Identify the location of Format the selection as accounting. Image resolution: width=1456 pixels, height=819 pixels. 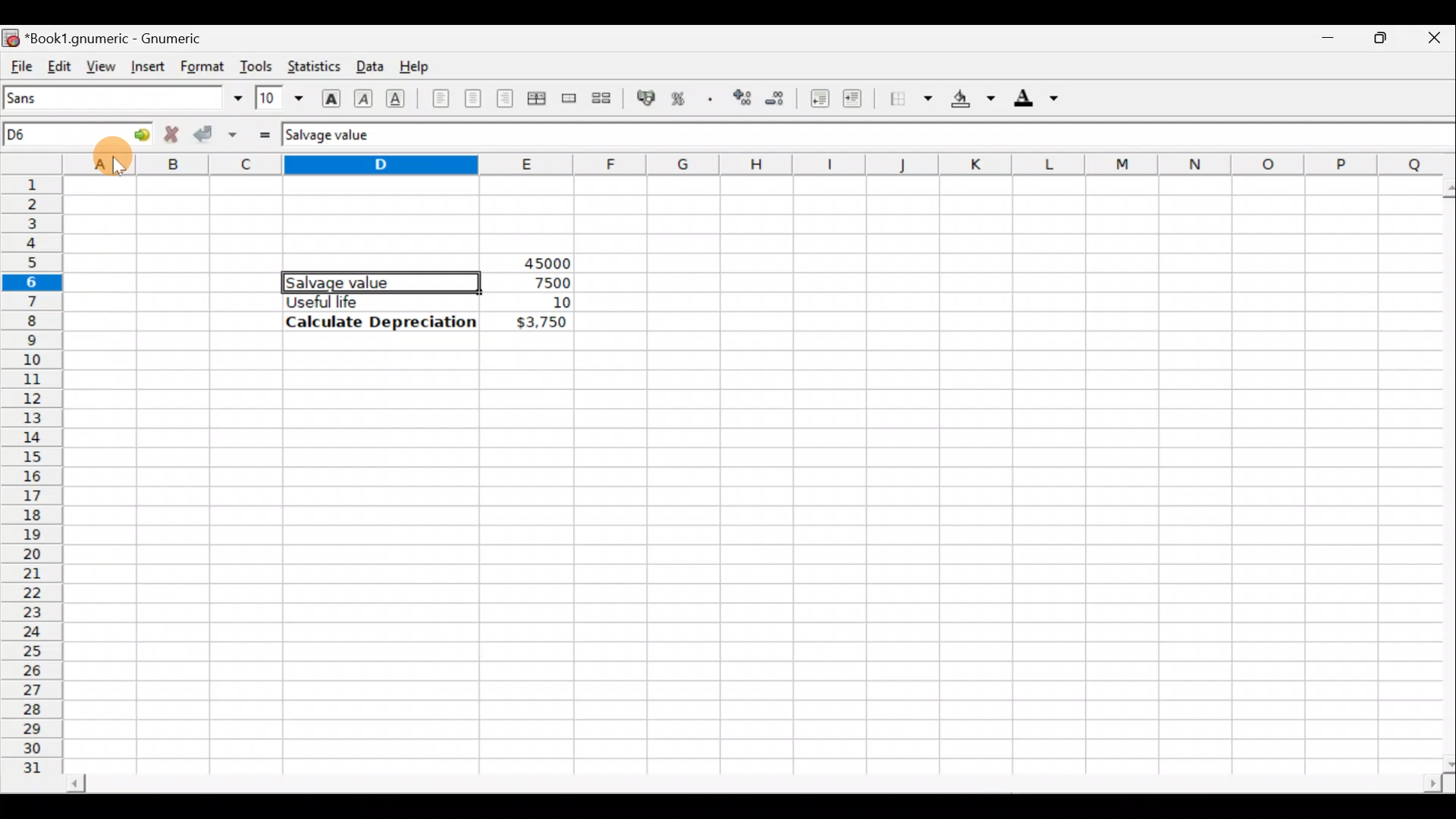
(647, 100).